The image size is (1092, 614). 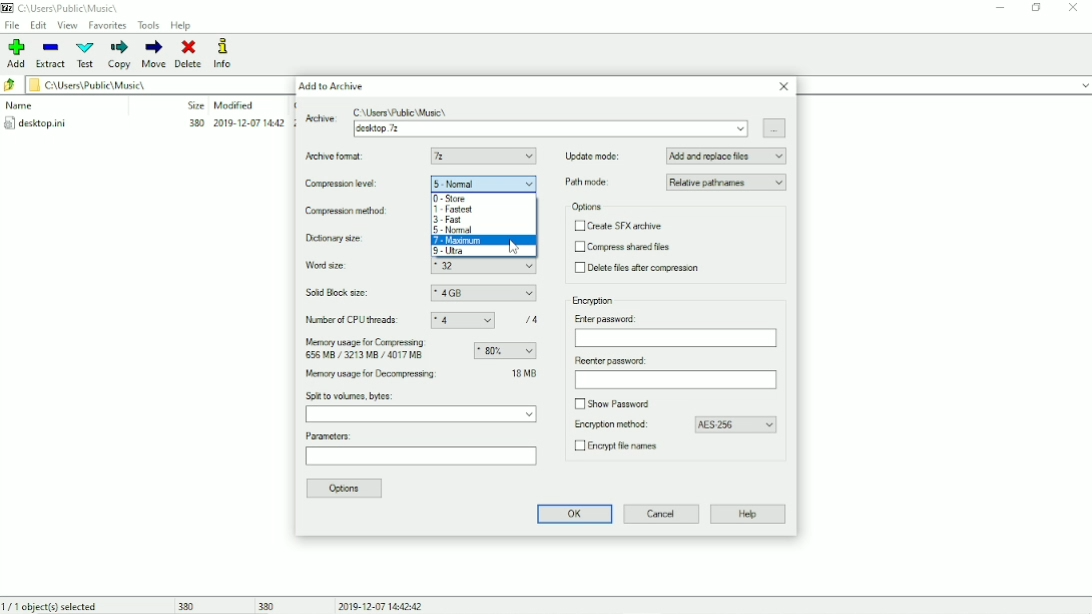 I want to click on Test, so click(x=86, y=55).